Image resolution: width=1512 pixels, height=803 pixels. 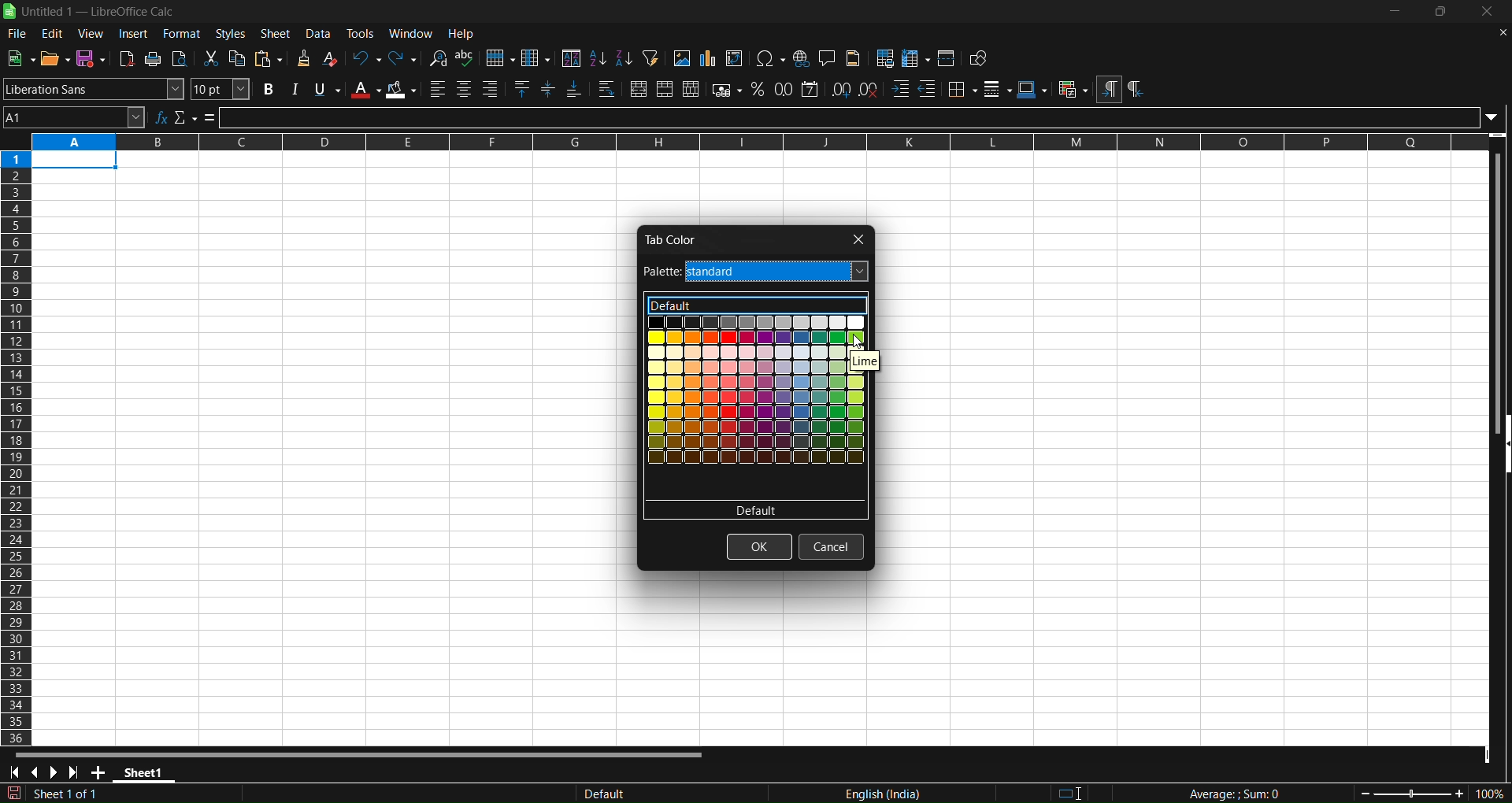 I want to click on redo, so click(x=404, y=57).